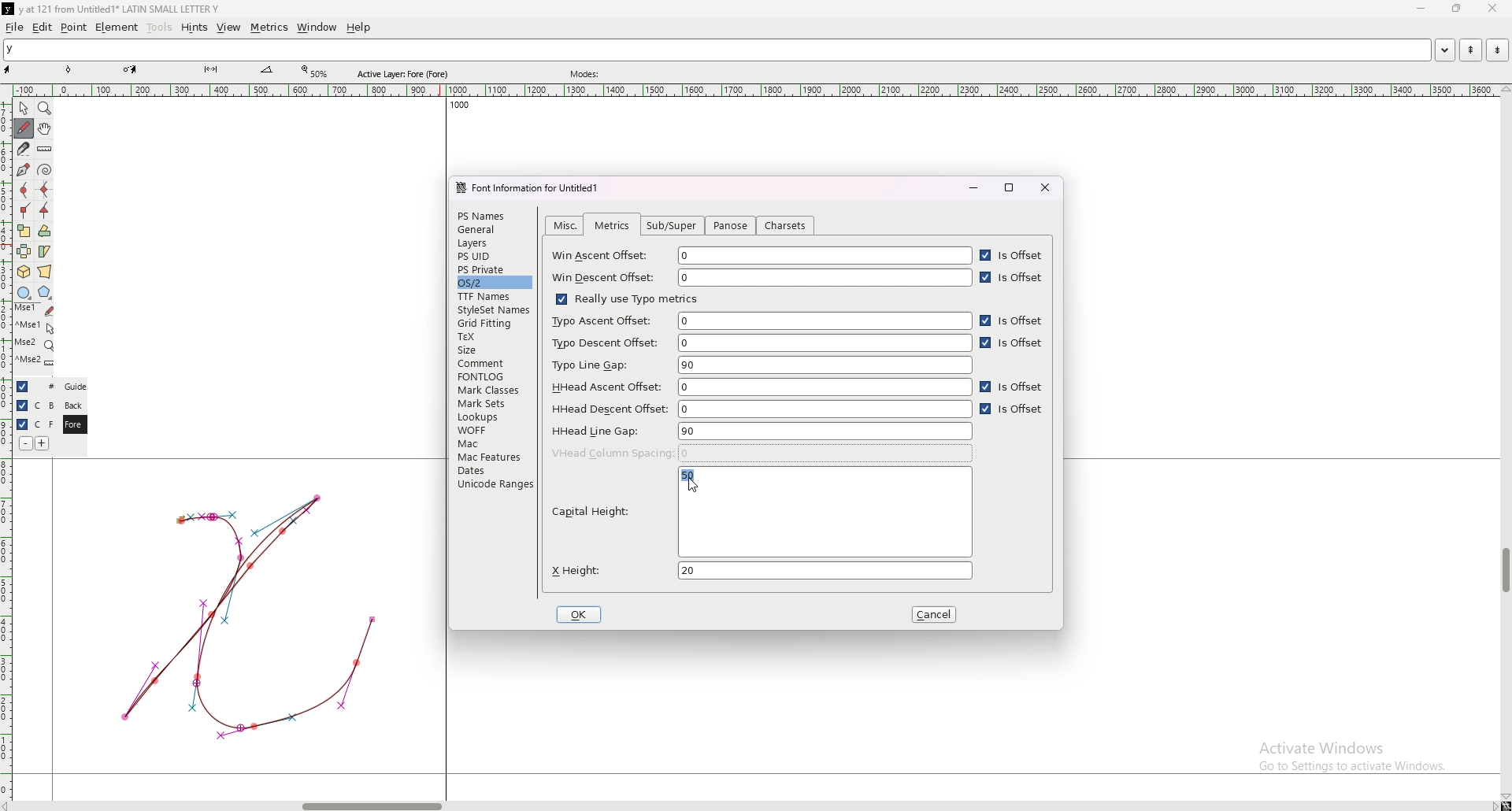 Image resolution: width=1512 pixels, height=811 pixels. What do you see at coordinates (45, 231) in the screenshot?
I see `rotate the selection` at bounding box center [45, 231].